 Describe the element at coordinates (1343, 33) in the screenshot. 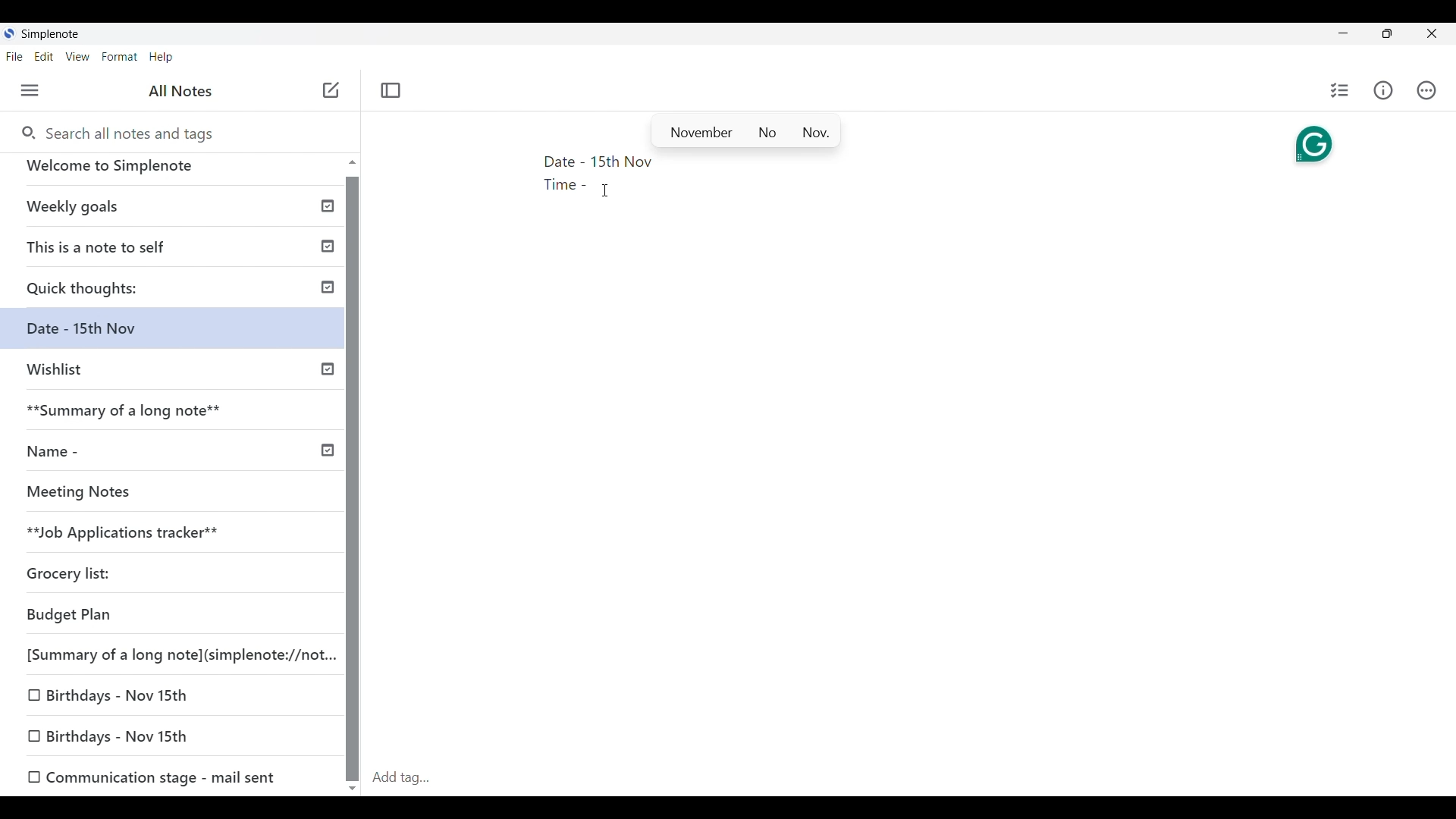

I see `Minimize` at that location.